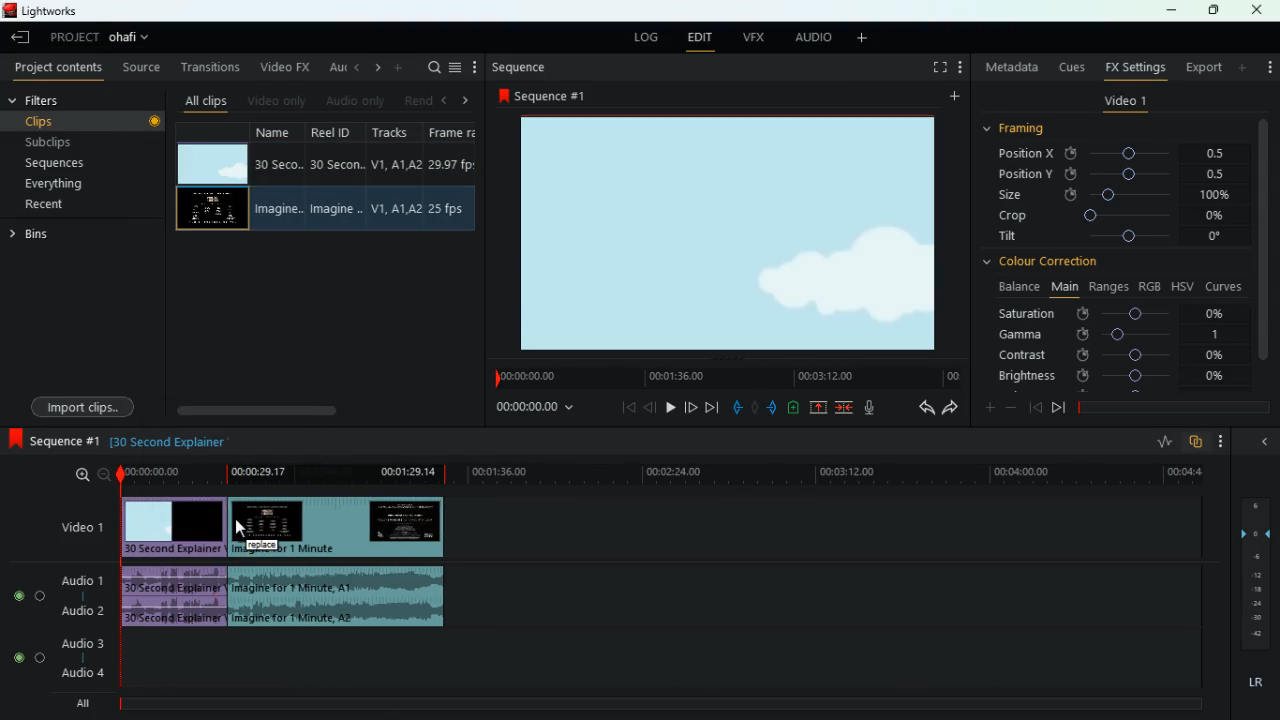  What do you see at coordinates (450, 177) in the screenshot?
I see `frame` at bounding box center [450, 177].